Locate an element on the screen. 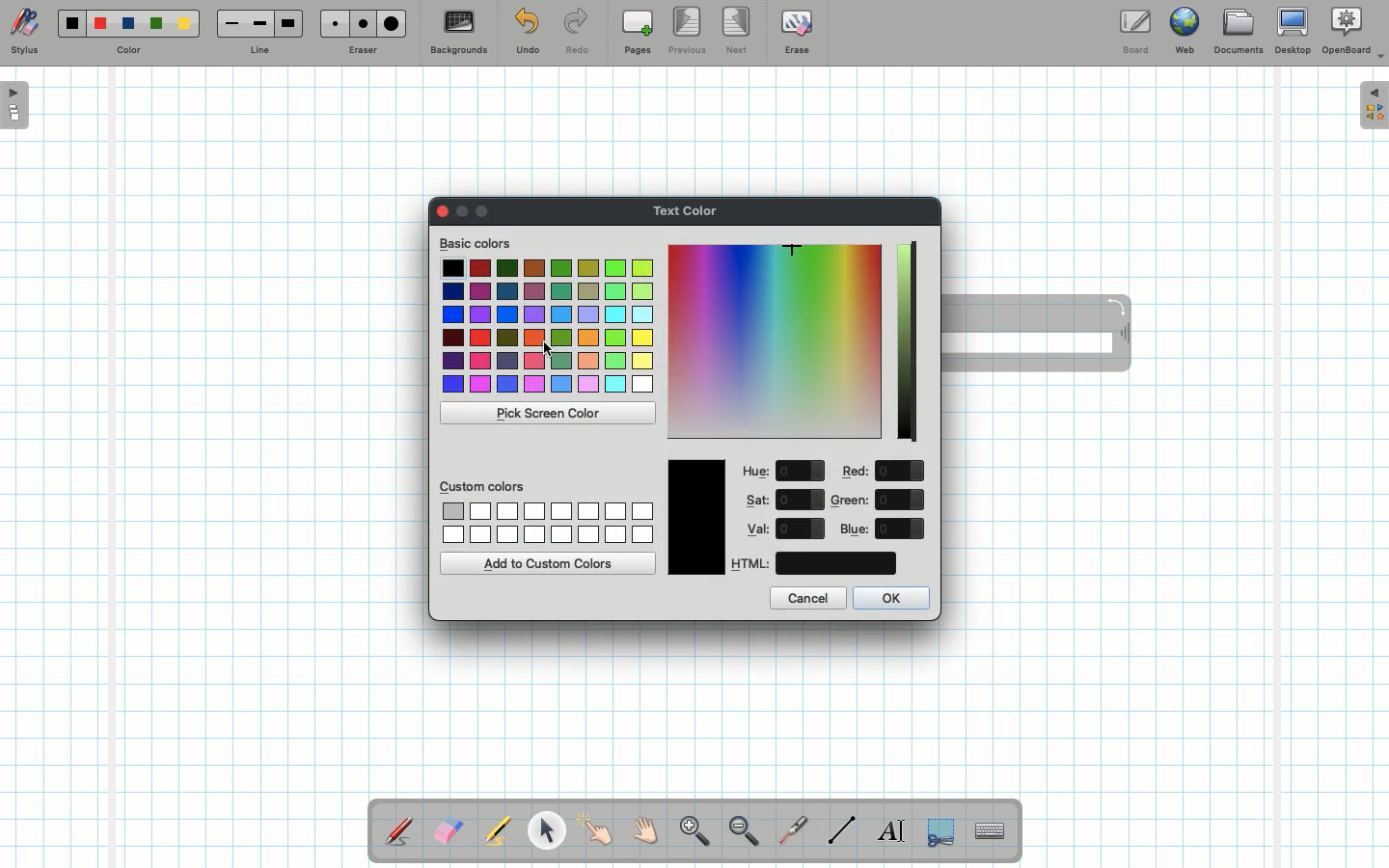 The image size is (1389, 868). Large line is located at coordinates (289, 23).